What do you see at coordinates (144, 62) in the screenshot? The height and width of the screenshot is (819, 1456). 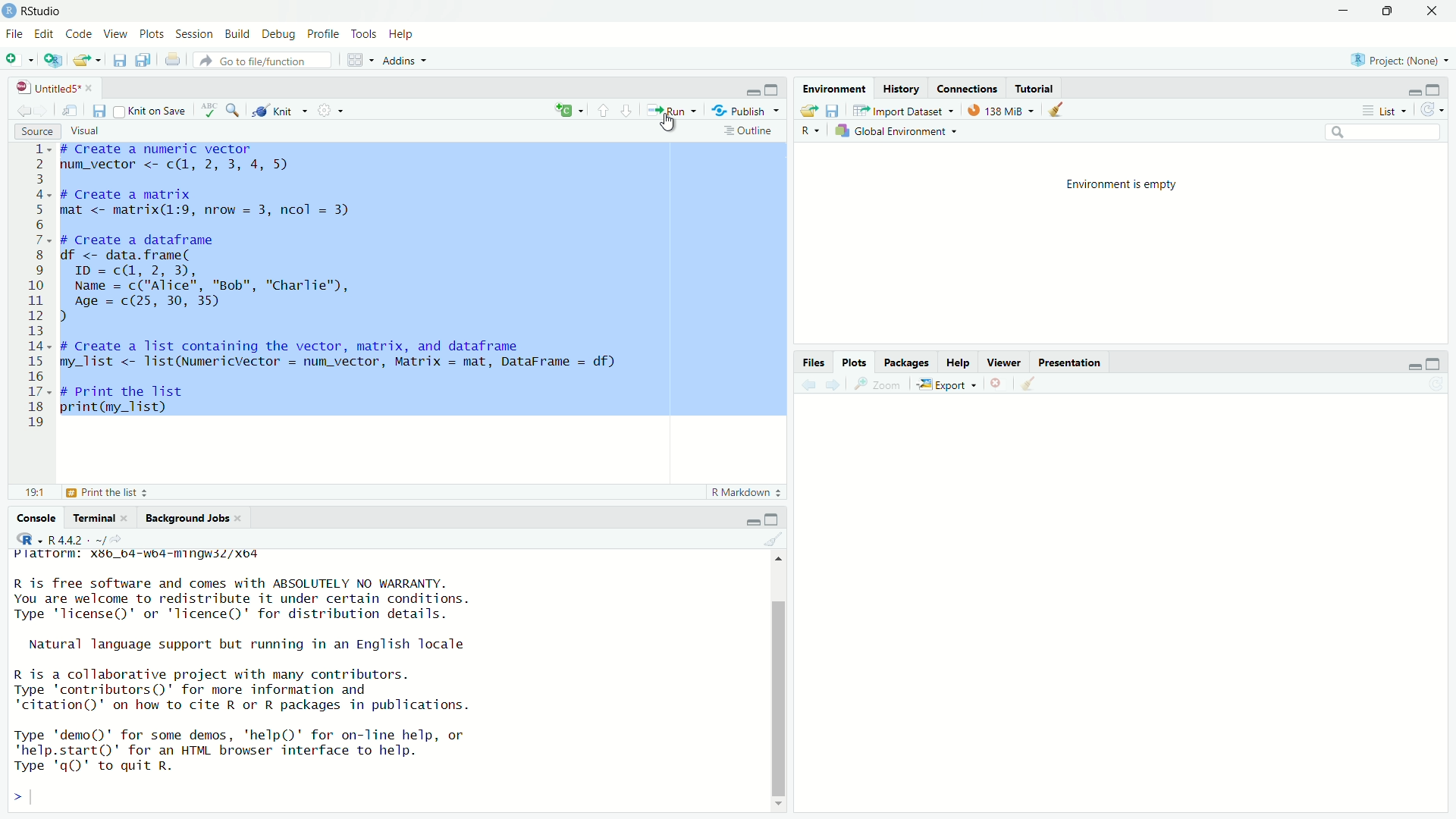 I see `copy` at bounding box center [144, 62].